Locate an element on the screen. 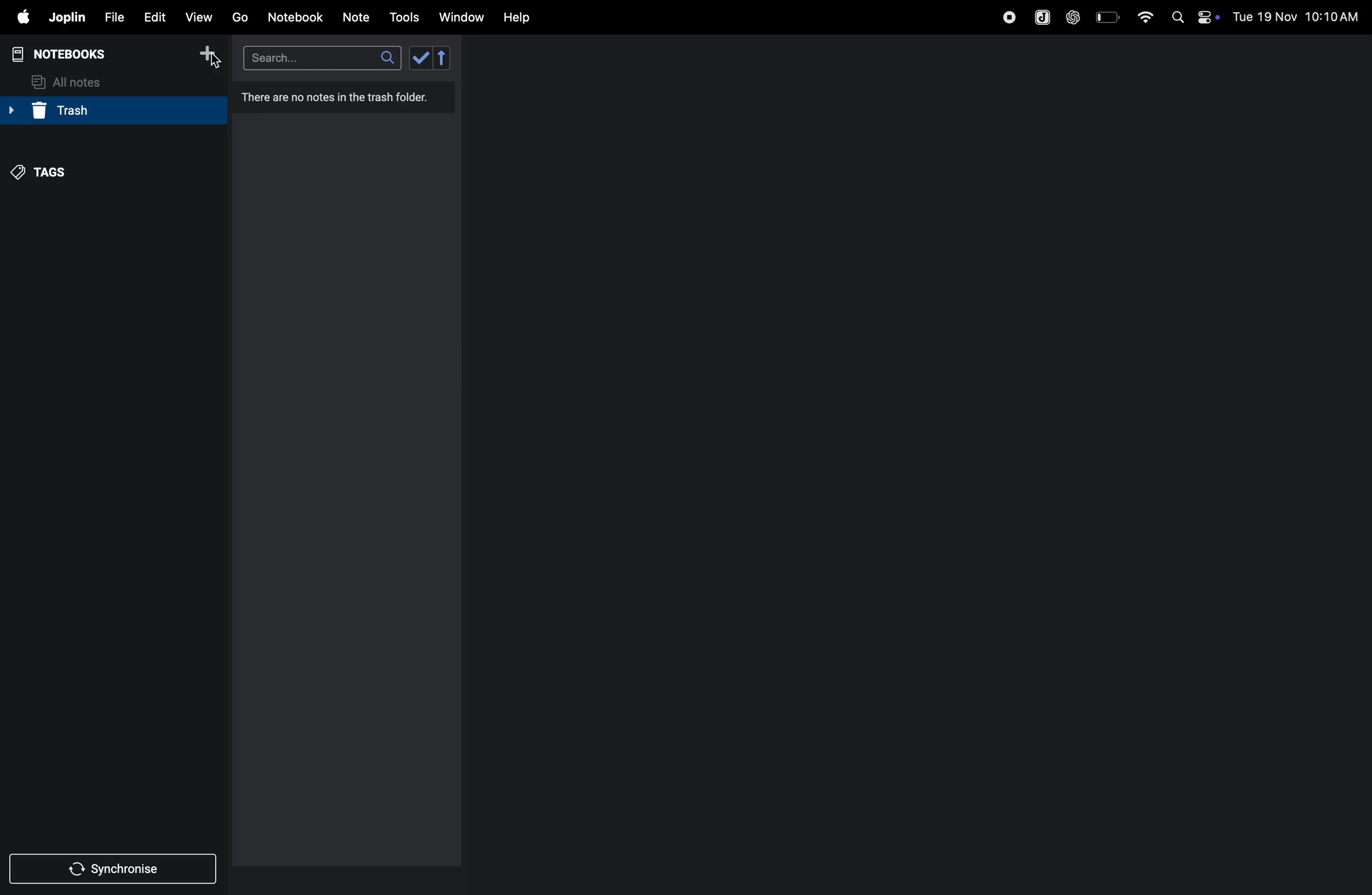 This screenshot has width=1372, height=895. search  is located at coordinates (318, 57).